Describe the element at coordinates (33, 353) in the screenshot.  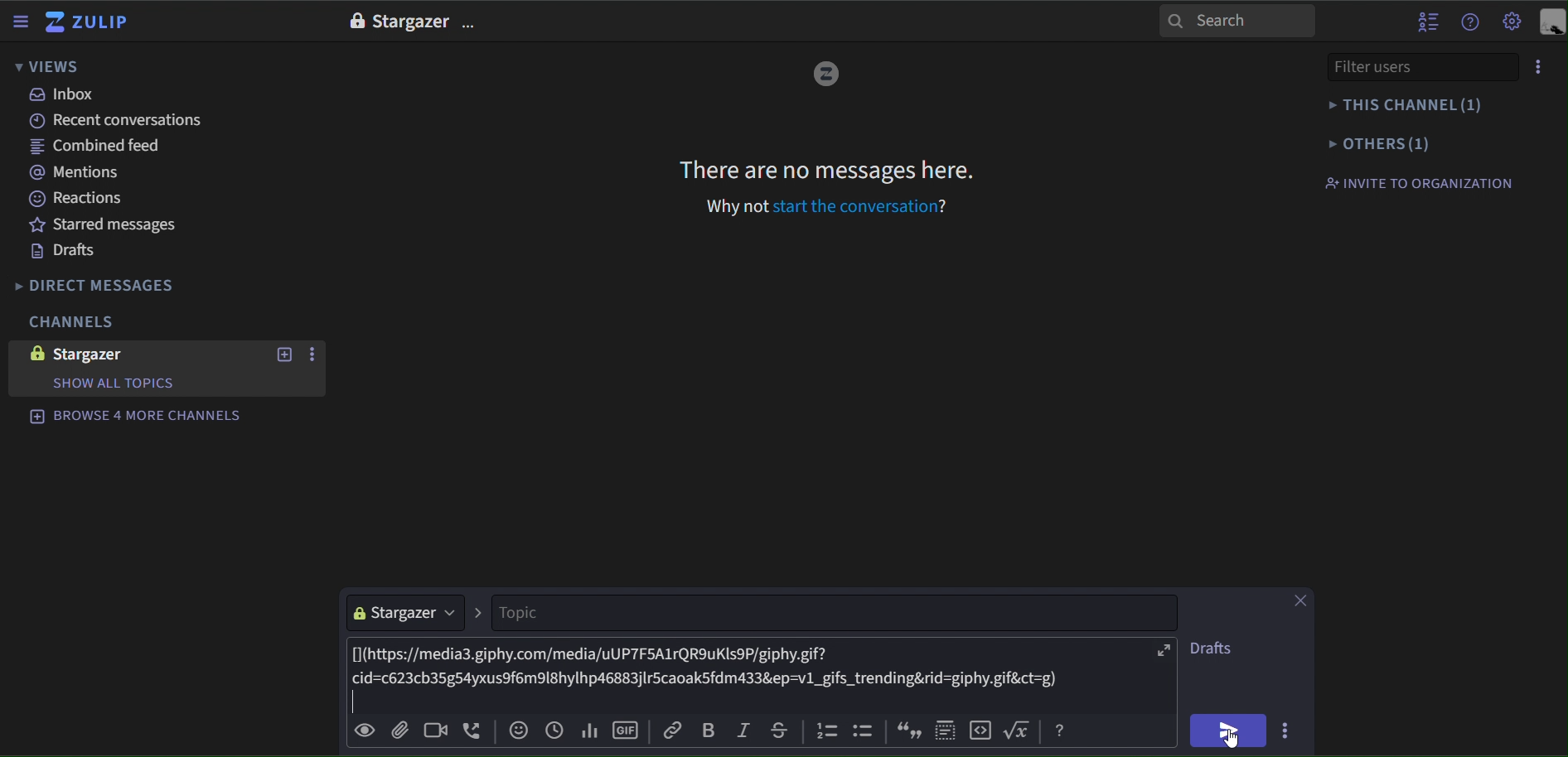
I see `image` at that location.